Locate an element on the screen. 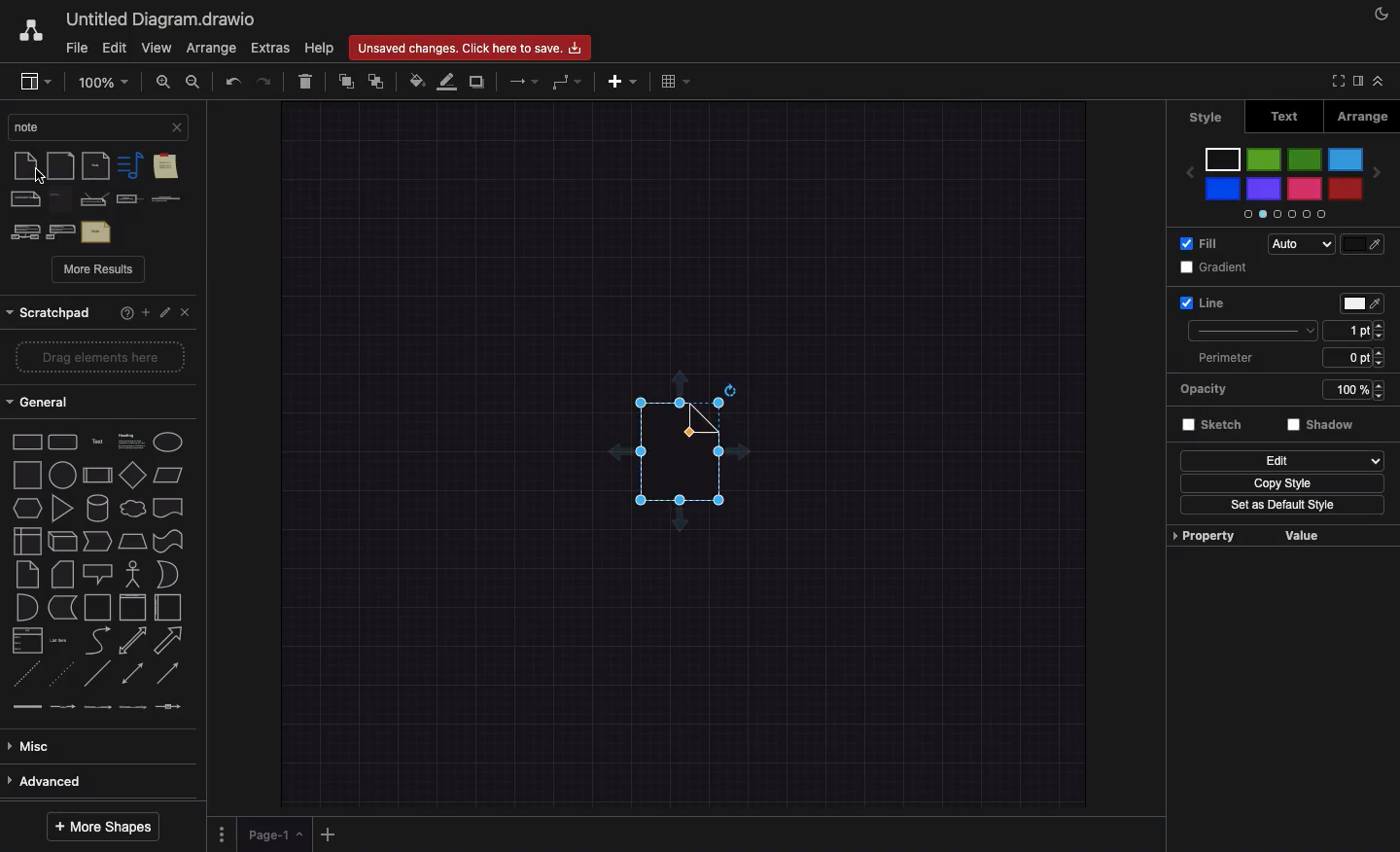 The image size is (1400, 852). Property is located at coordinates (1203, 536).